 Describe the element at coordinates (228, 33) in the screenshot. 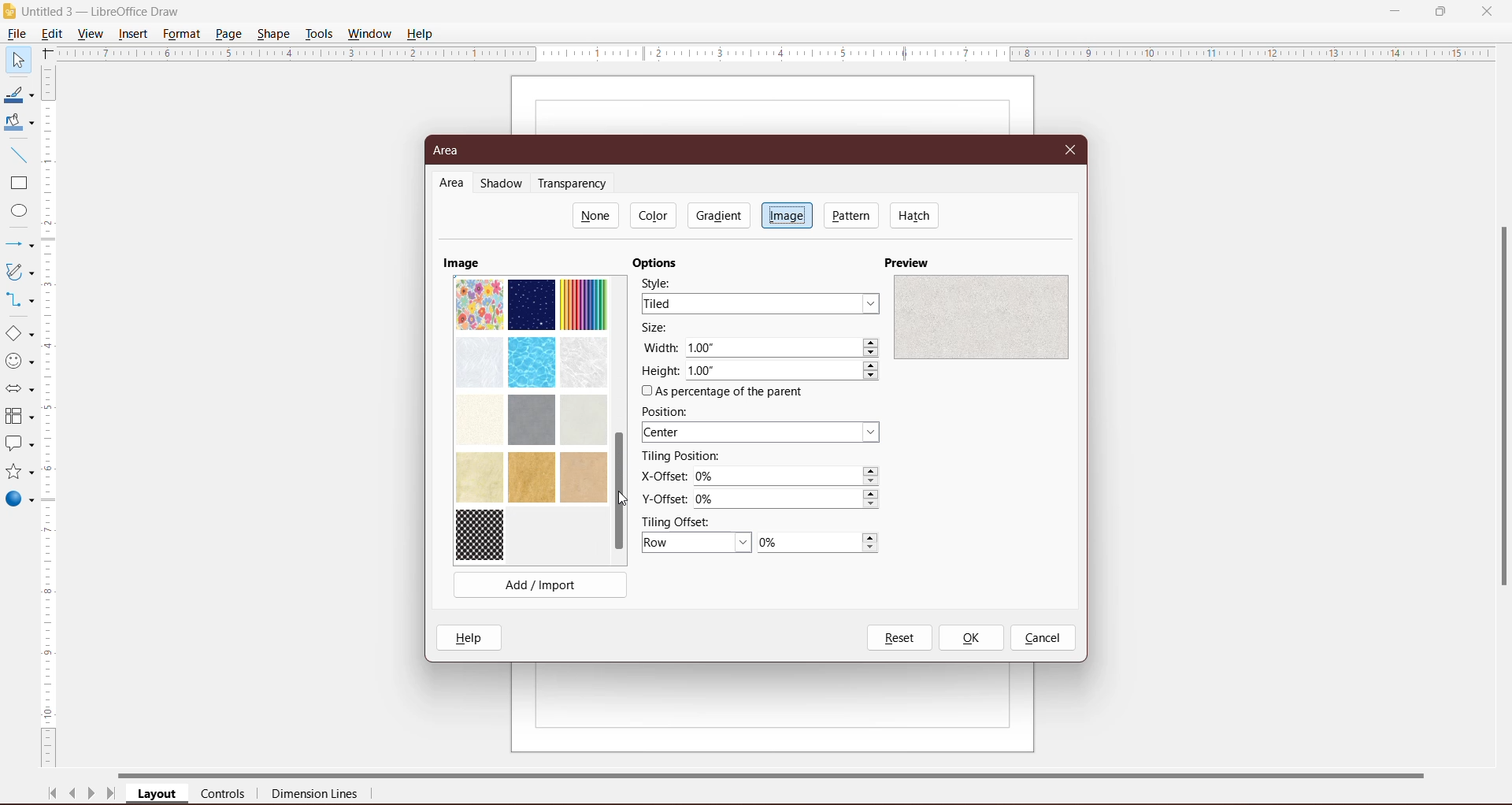

I see `Page` at that location.